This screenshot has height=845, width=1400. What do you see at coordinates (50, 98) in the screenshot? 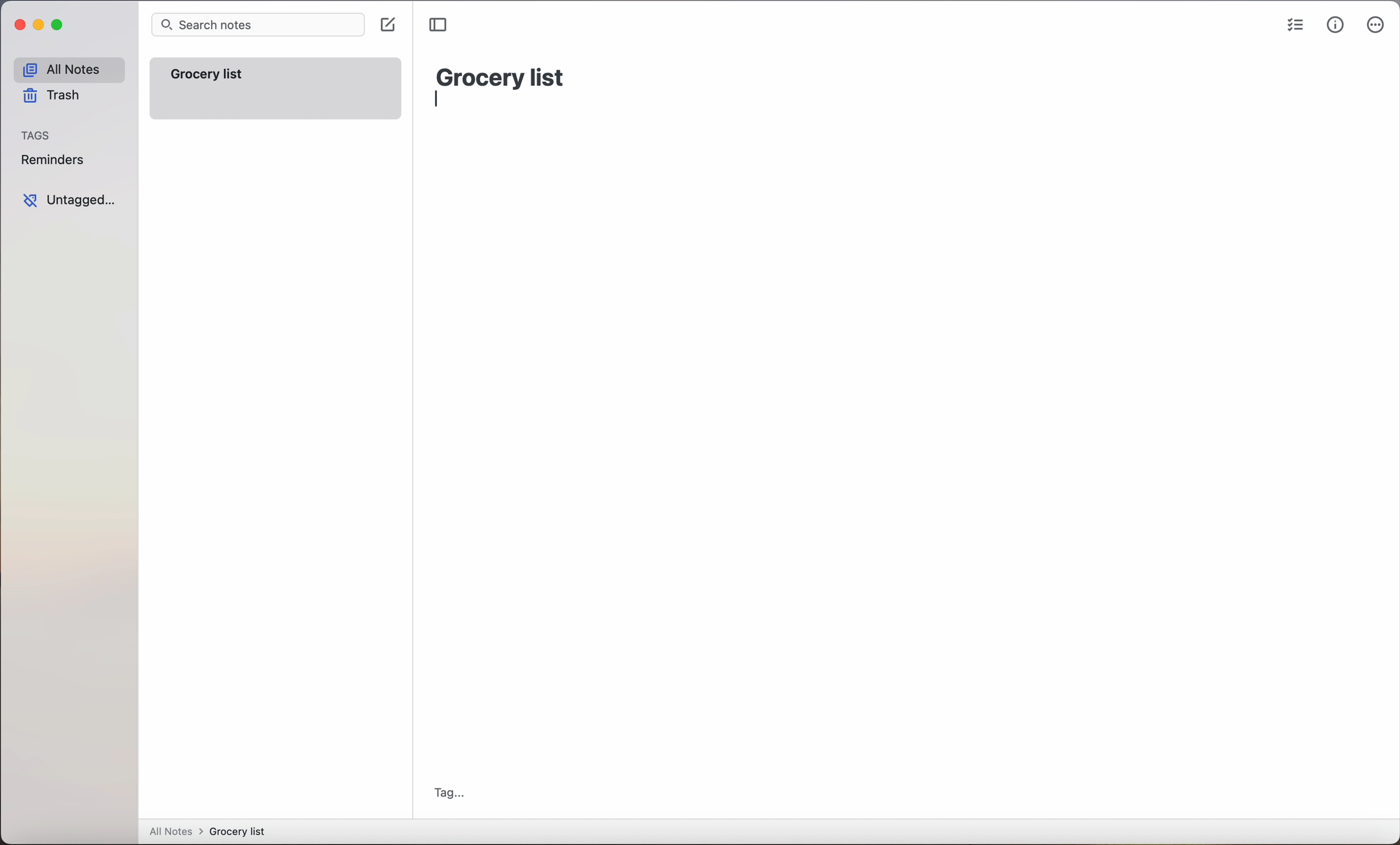
I see `trash` at bounding box center [50, 98].